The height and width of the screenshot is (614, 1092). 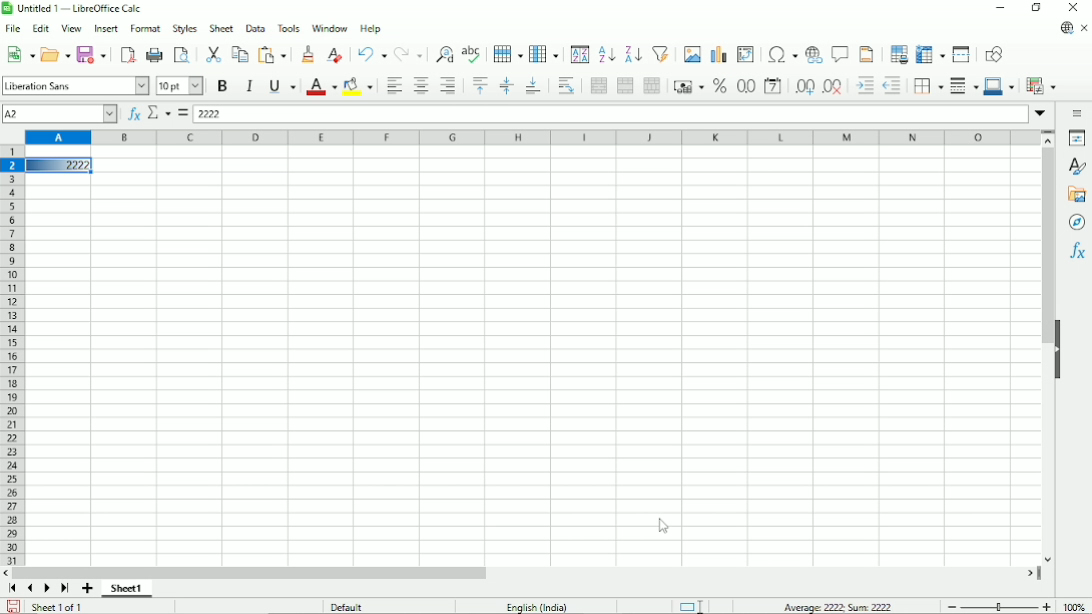 I want to click on Formula, so click(x=182, y=113).